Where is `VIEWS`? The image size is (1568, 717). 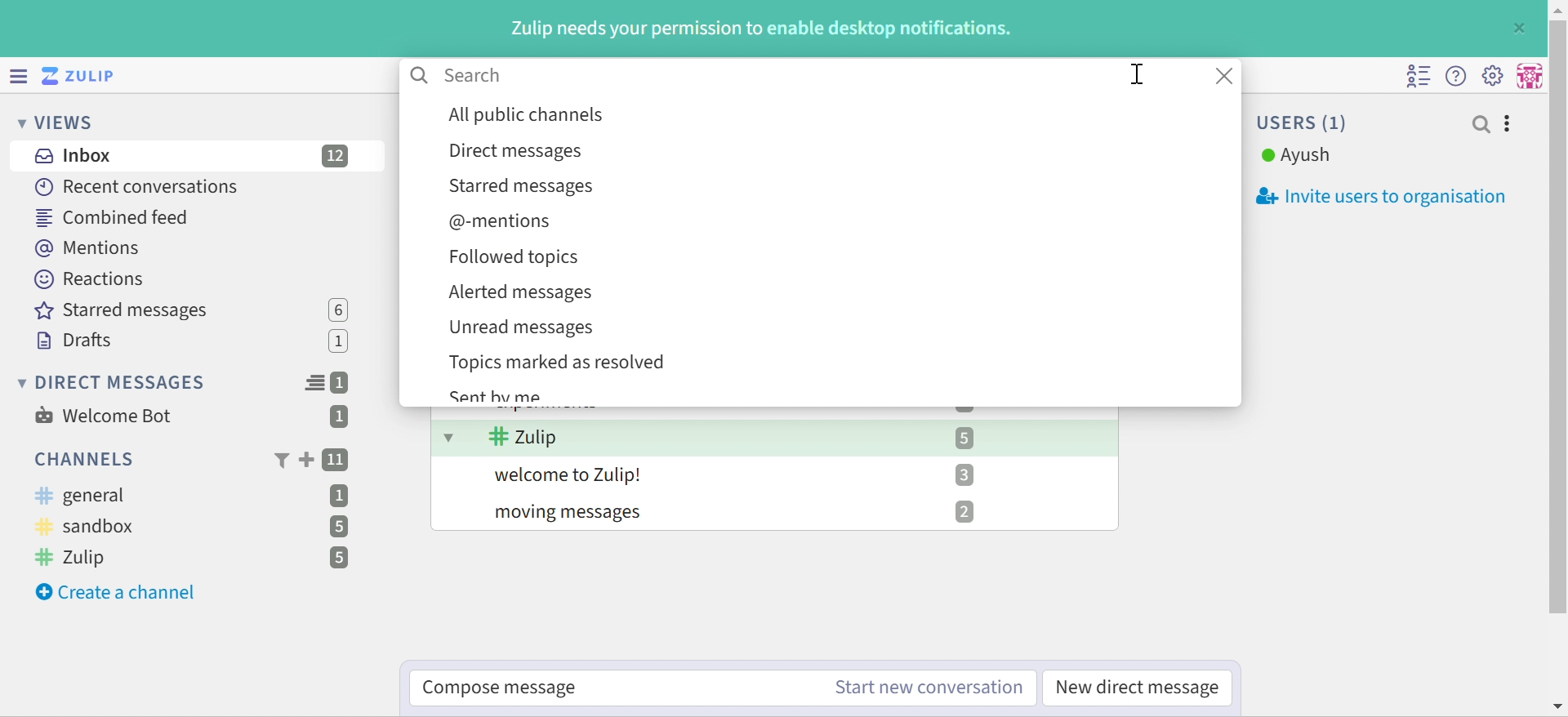 VIEWS is located at coordinates (59, 124).